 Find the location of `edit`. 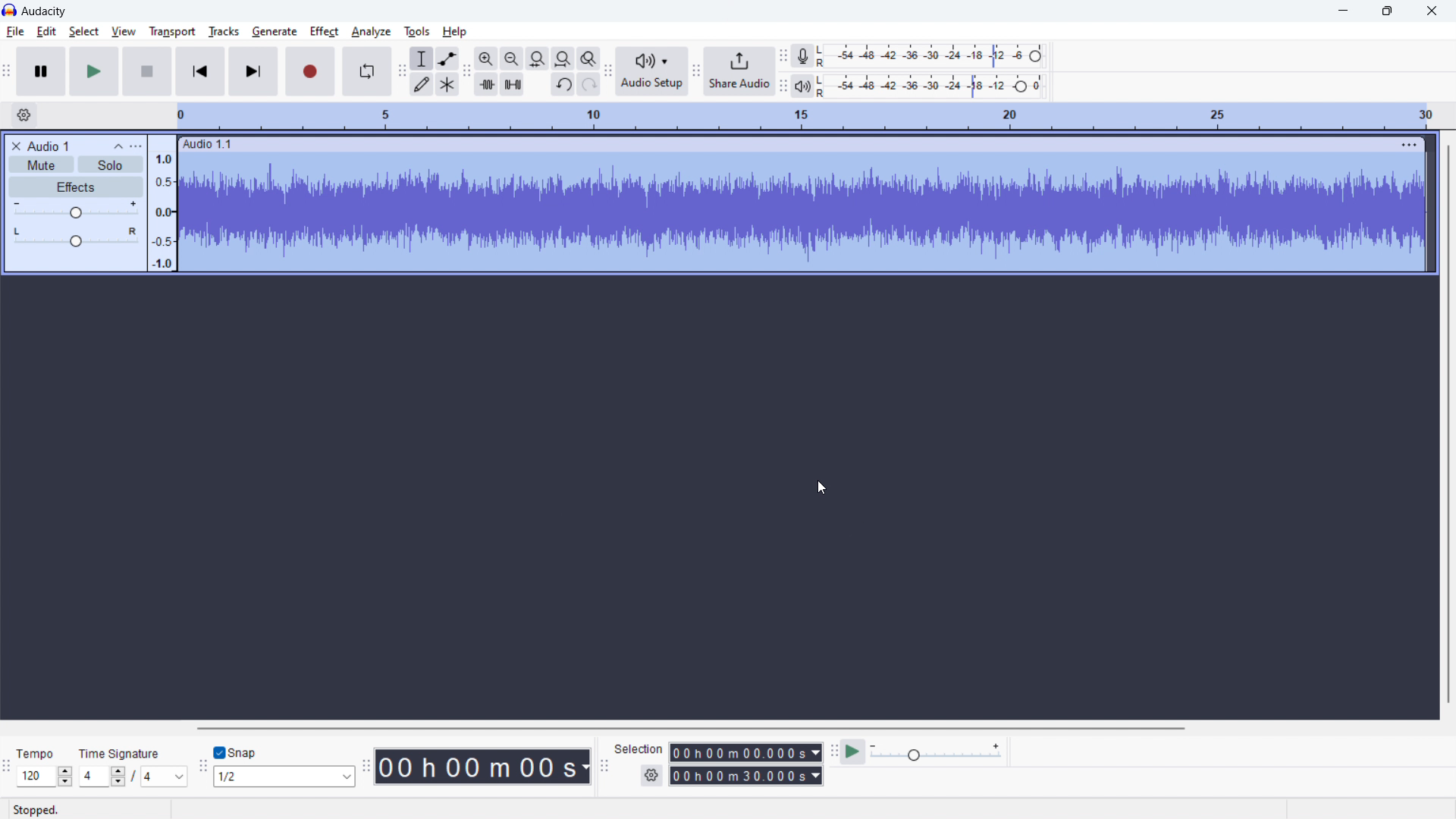

edit is located at coordinates (46, 31).